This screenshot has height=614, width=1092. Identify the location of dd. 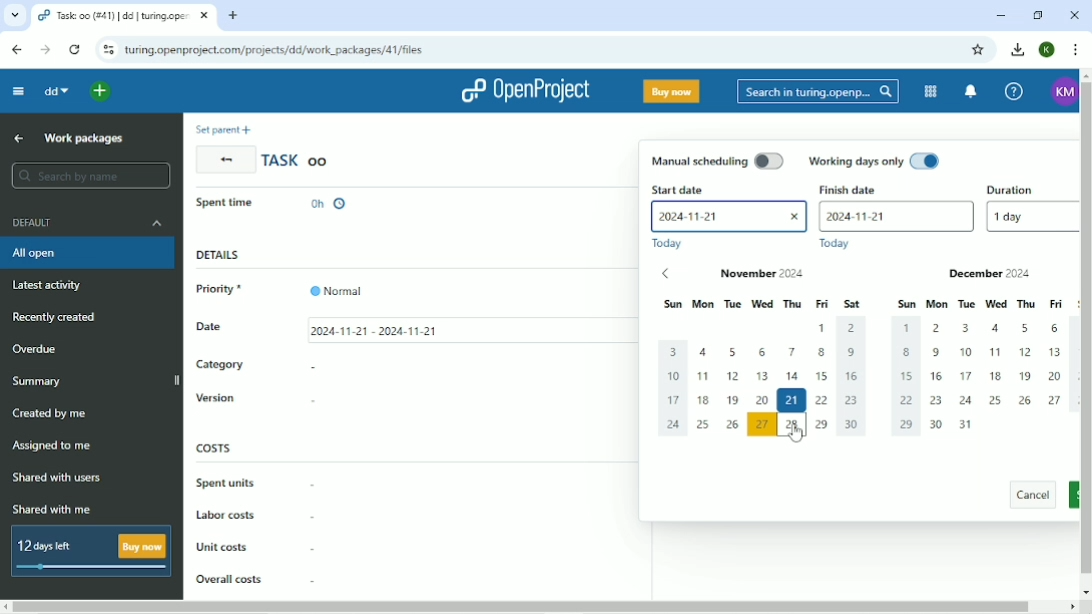
(56, 91).